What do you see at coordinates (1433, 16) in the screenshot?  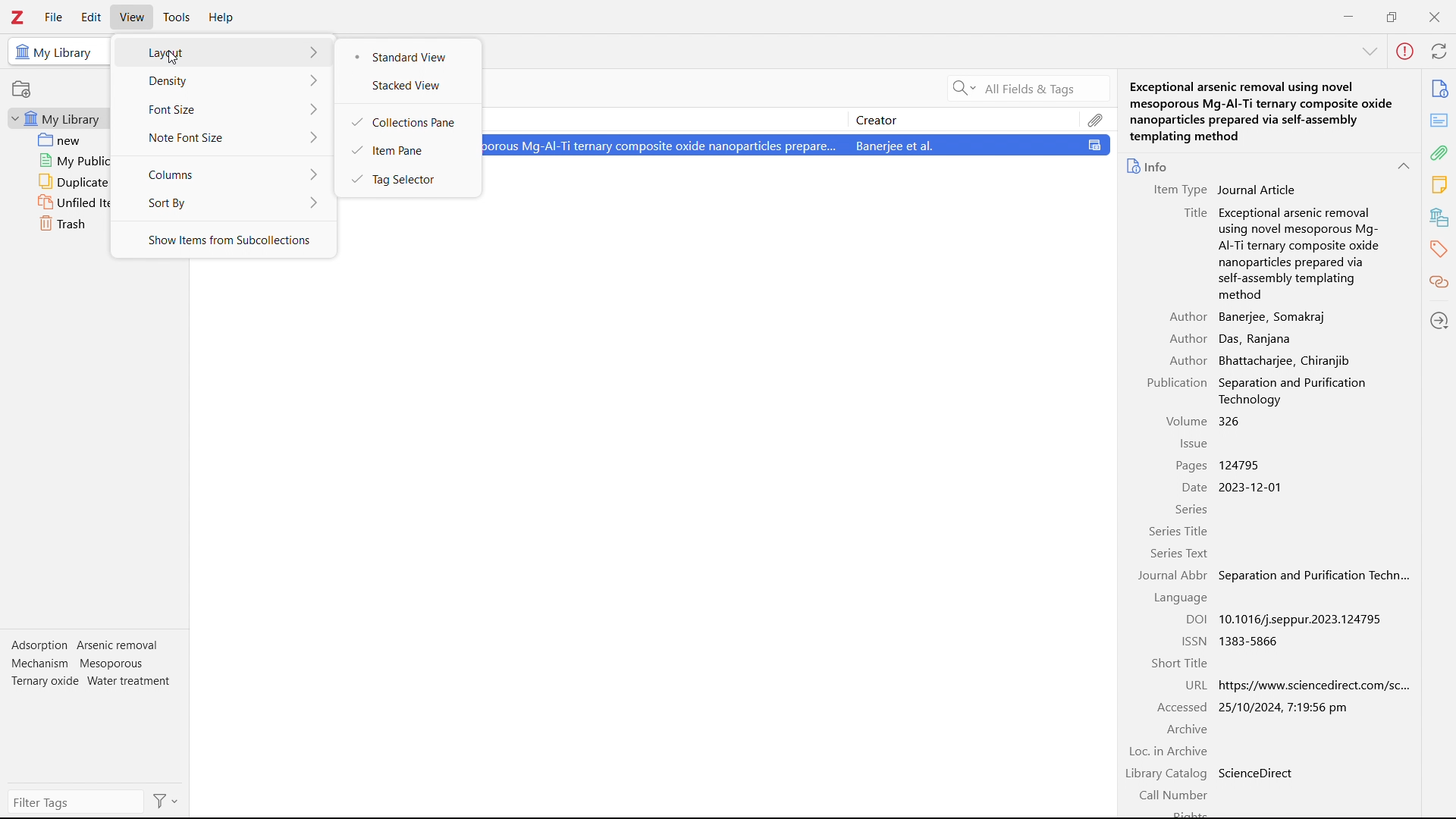 I see `close` at bounding box center [1433, 16].